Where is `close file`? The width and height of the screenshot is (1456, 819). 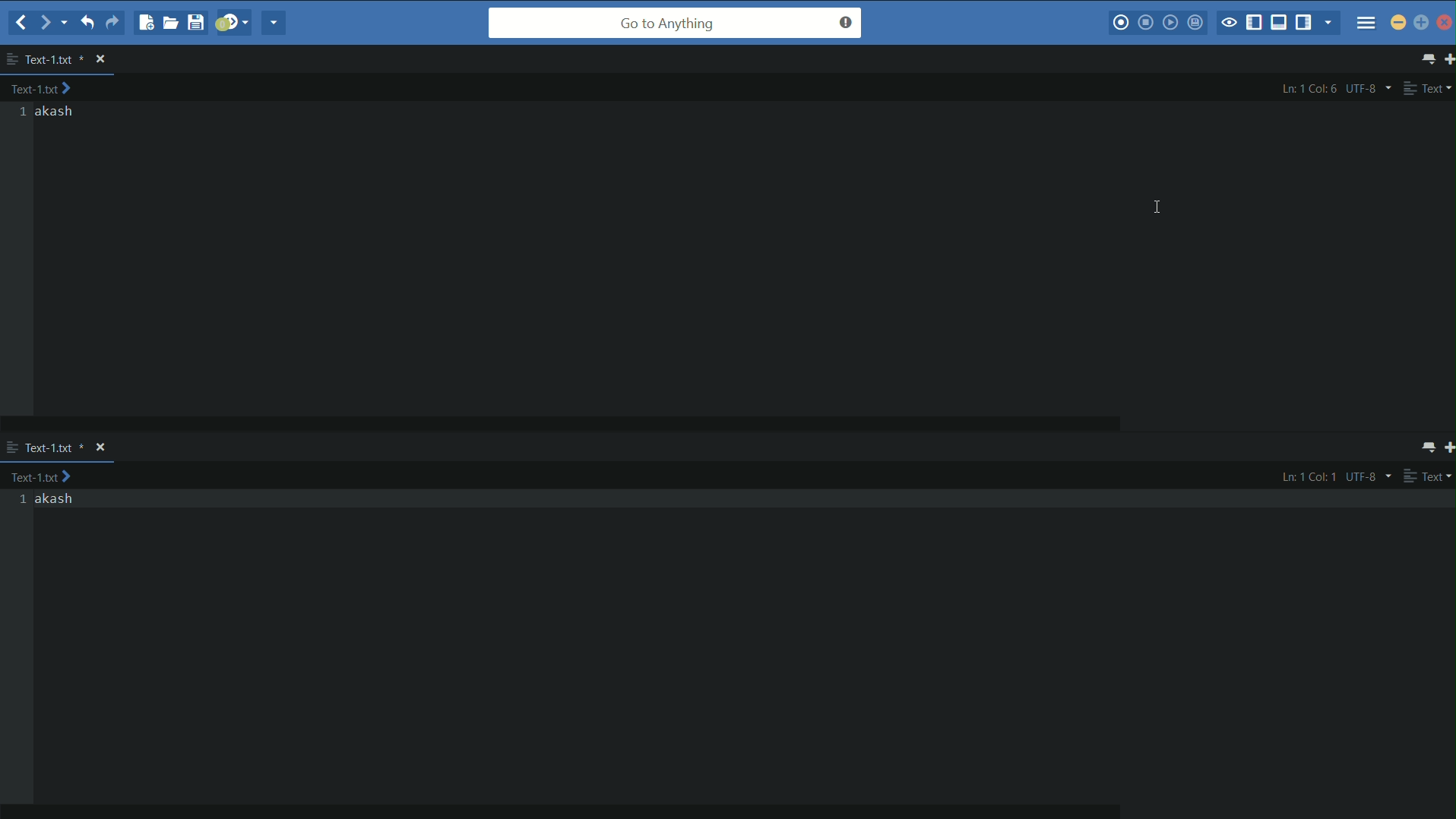 close file is located at coordinates (100, 59).